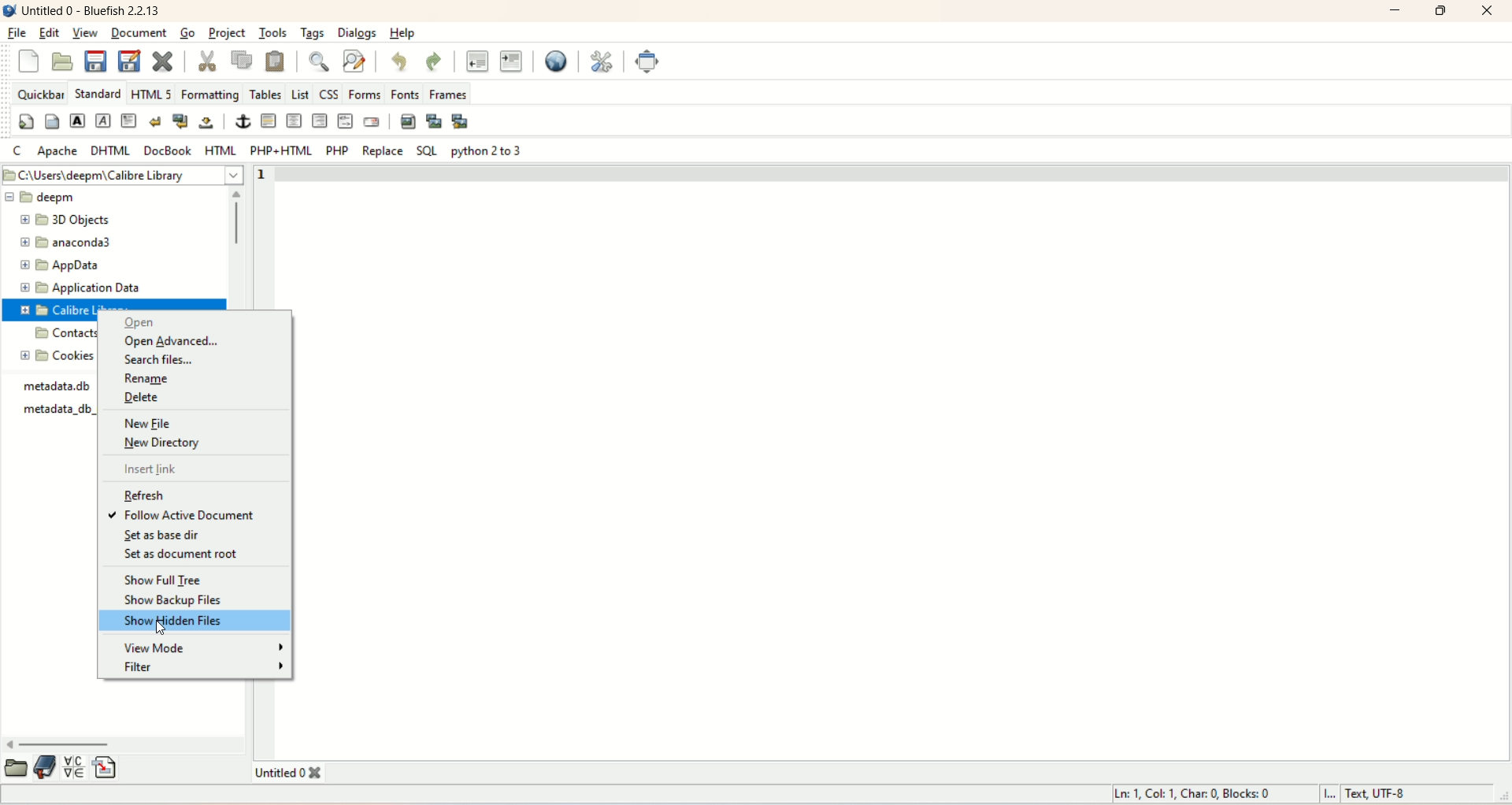  I want to click on refresh, so click(149, 495).